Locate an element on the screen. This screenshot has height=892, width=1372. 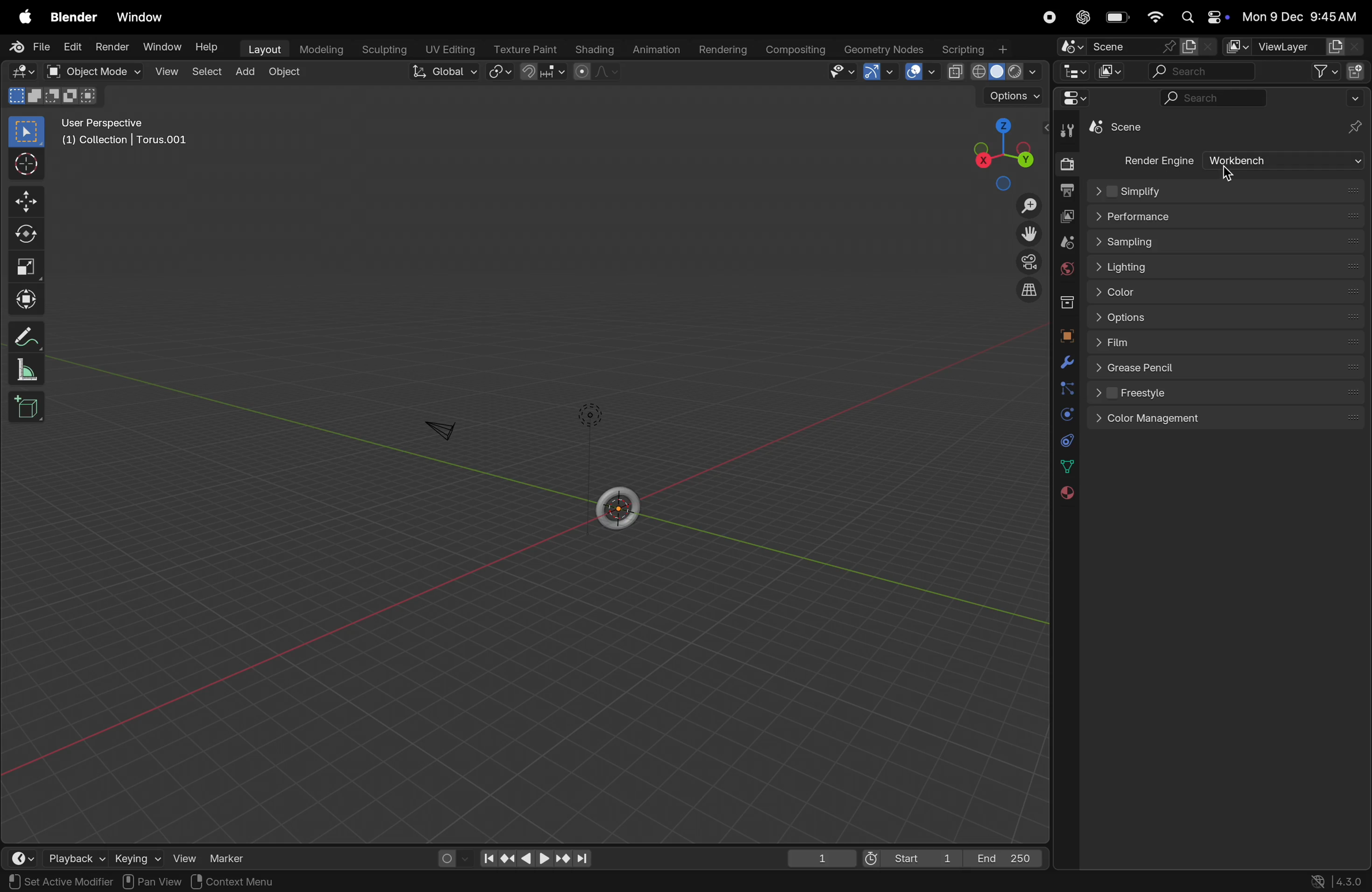
color management is located at coordinates (1227, 420).